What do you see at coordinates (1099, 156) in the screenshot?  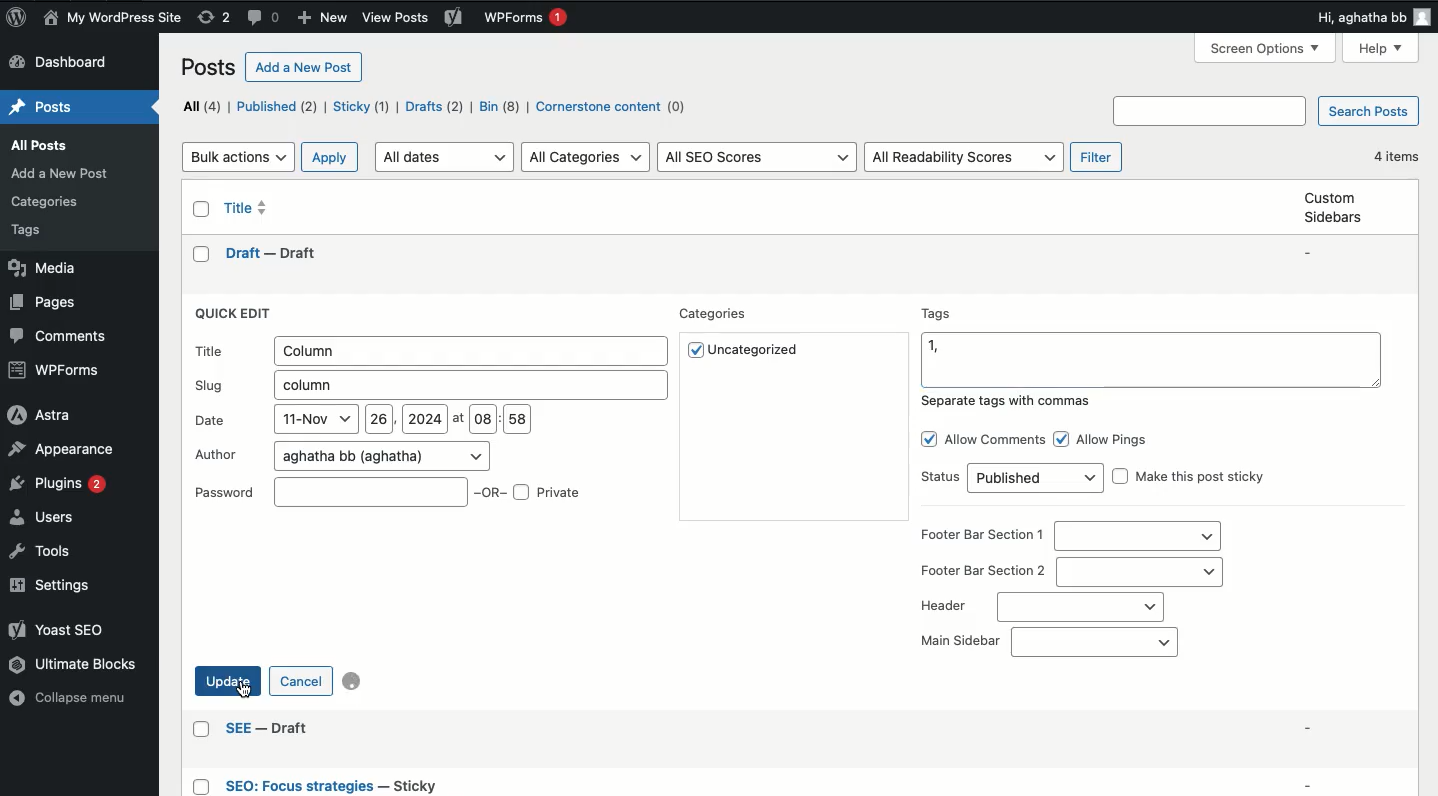 I see `Filter` at bounding box center [1099, 156].